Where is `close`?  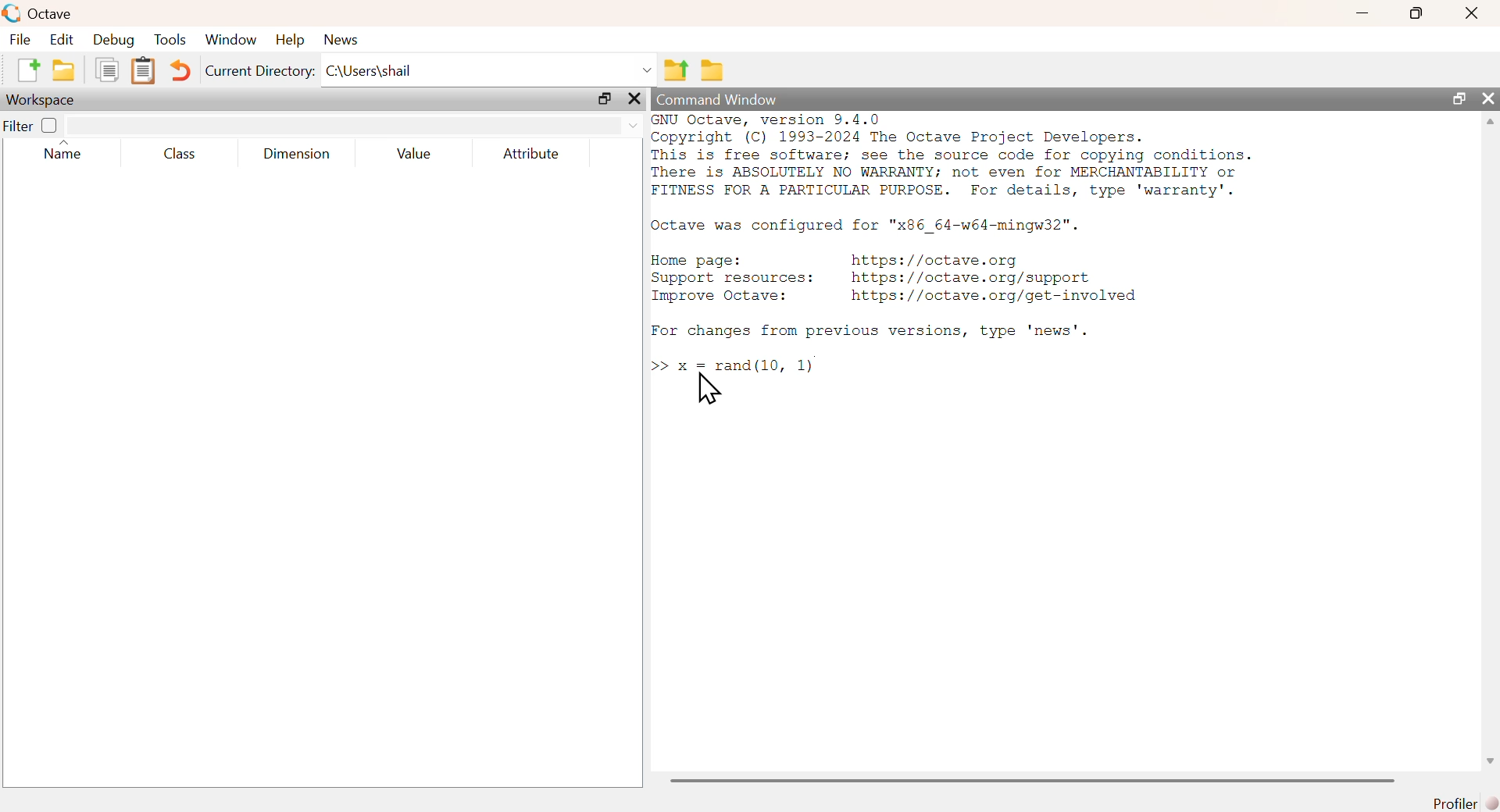
close is located at coordinates (1491, 100).